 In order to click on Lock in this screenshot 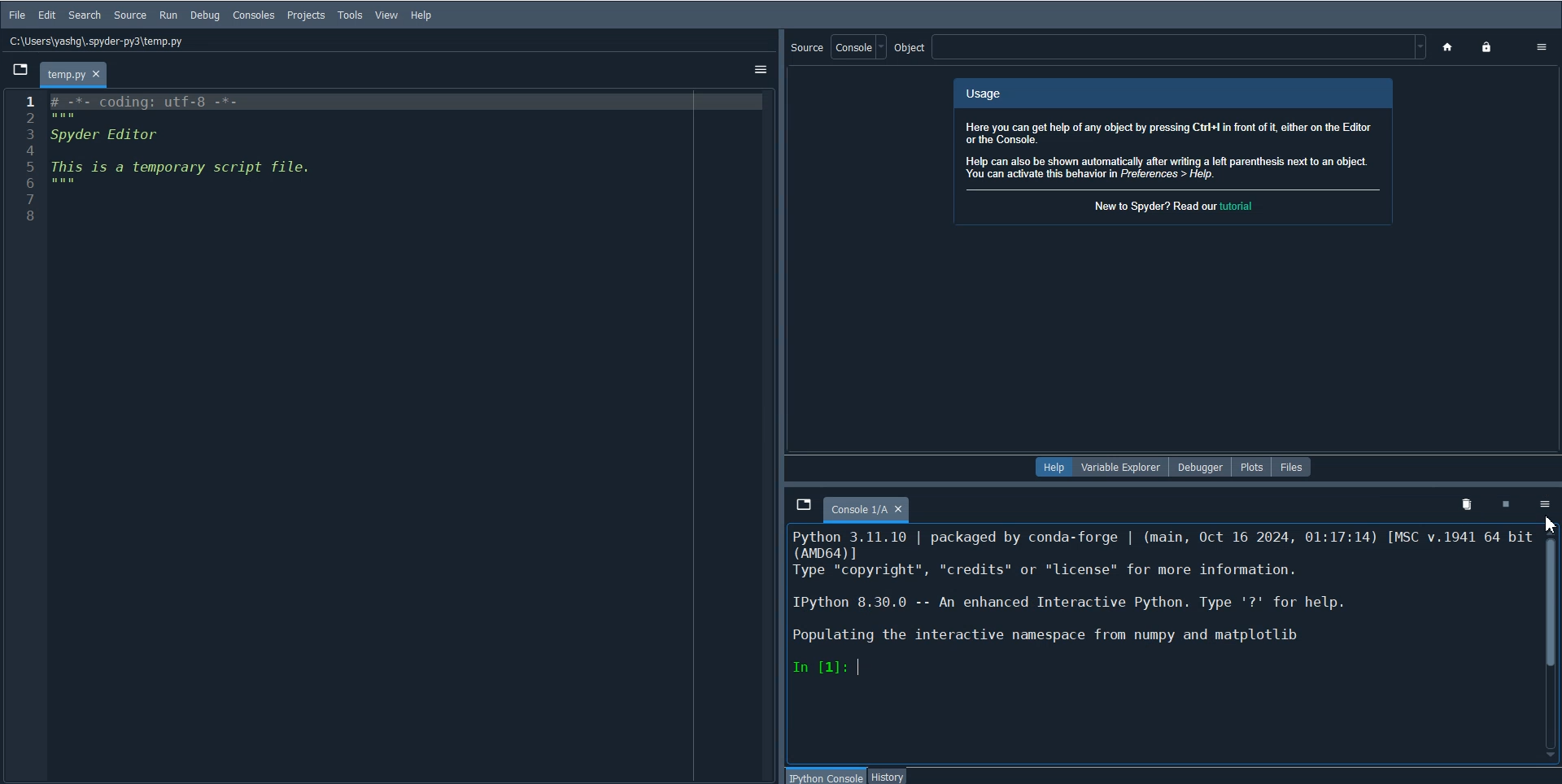, I will do `click(1490, 48)`.